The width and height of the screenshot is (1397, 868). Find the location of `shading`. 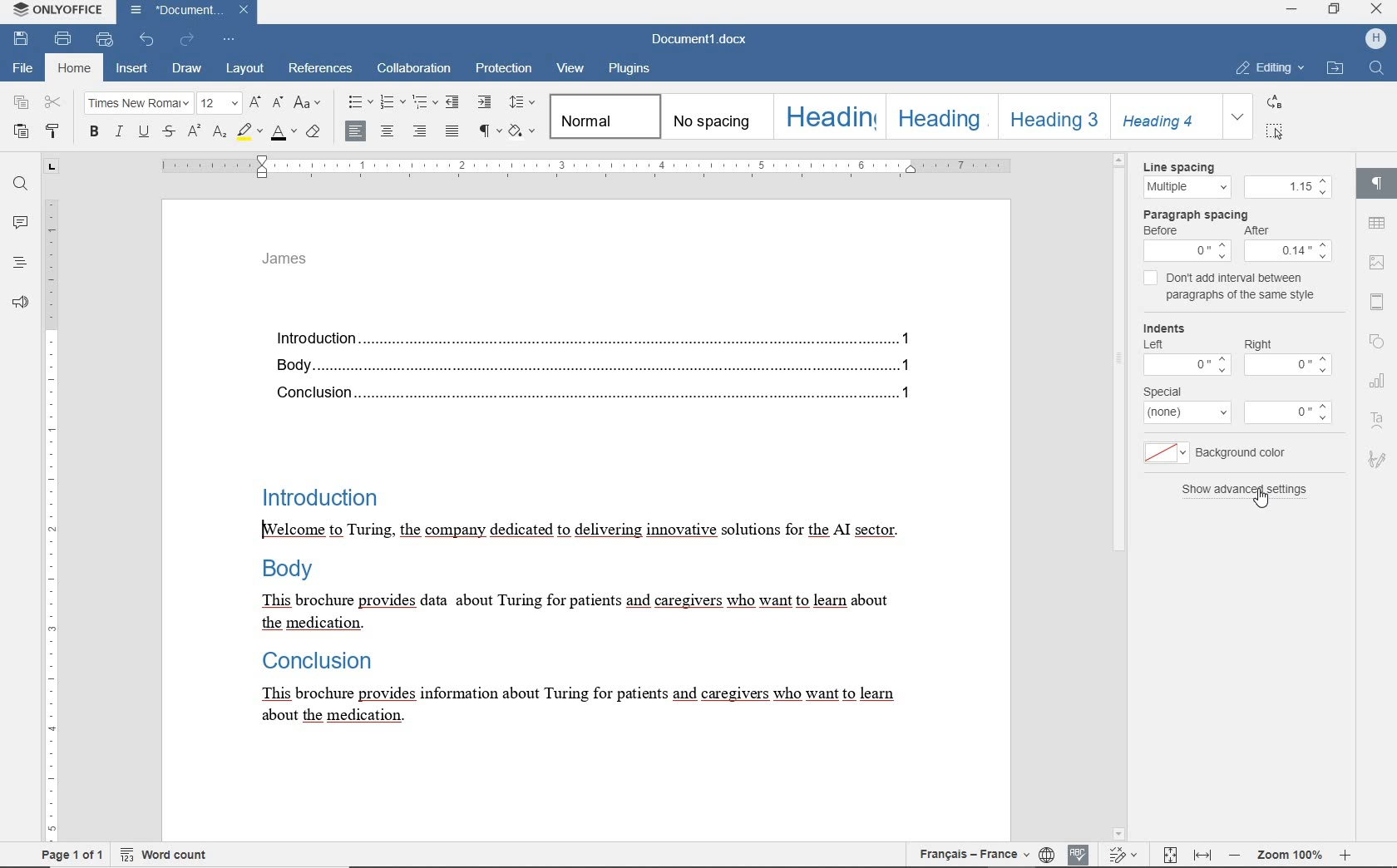

shading is located at coordinates (522, 131).